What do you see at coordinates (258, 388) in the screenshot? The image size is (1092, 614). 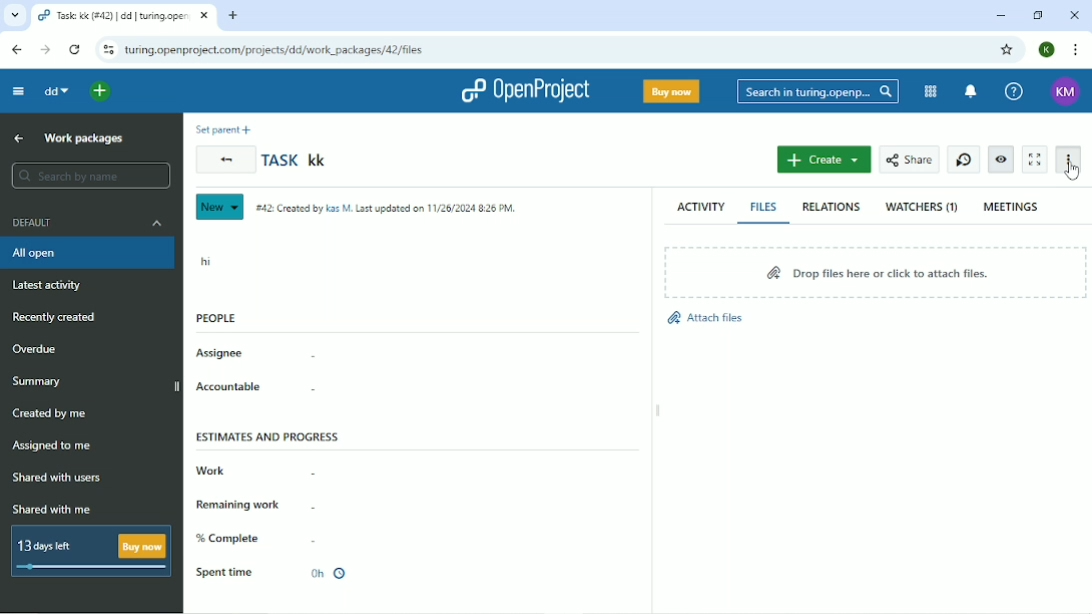 I see `Accountable` at bounding box center [258, 388].